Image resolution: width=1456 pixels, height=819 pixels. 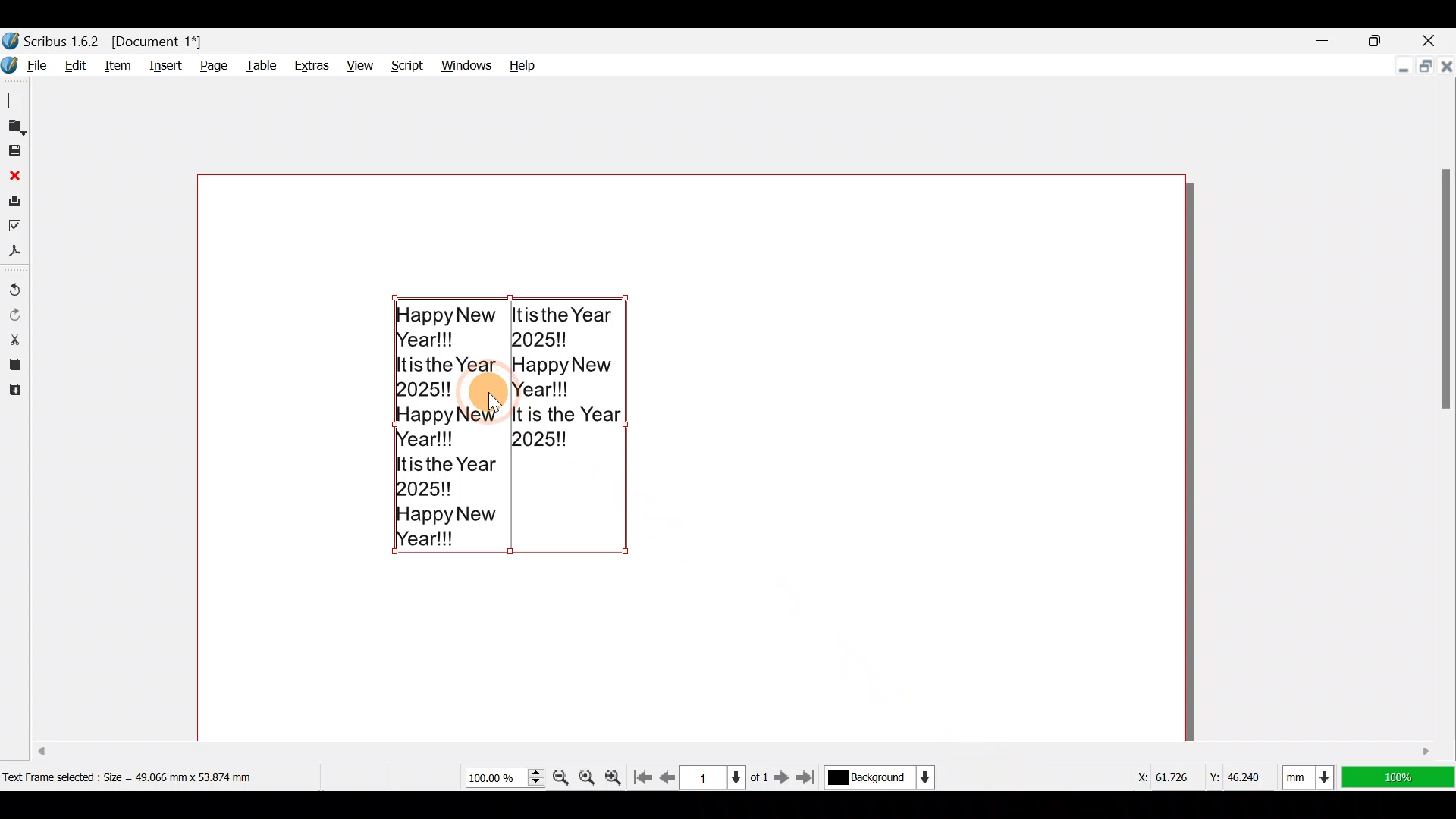 What do you see at coordinates (17, 364) in the screenshot?
I see `Copy` at bounding box center [17, 364].